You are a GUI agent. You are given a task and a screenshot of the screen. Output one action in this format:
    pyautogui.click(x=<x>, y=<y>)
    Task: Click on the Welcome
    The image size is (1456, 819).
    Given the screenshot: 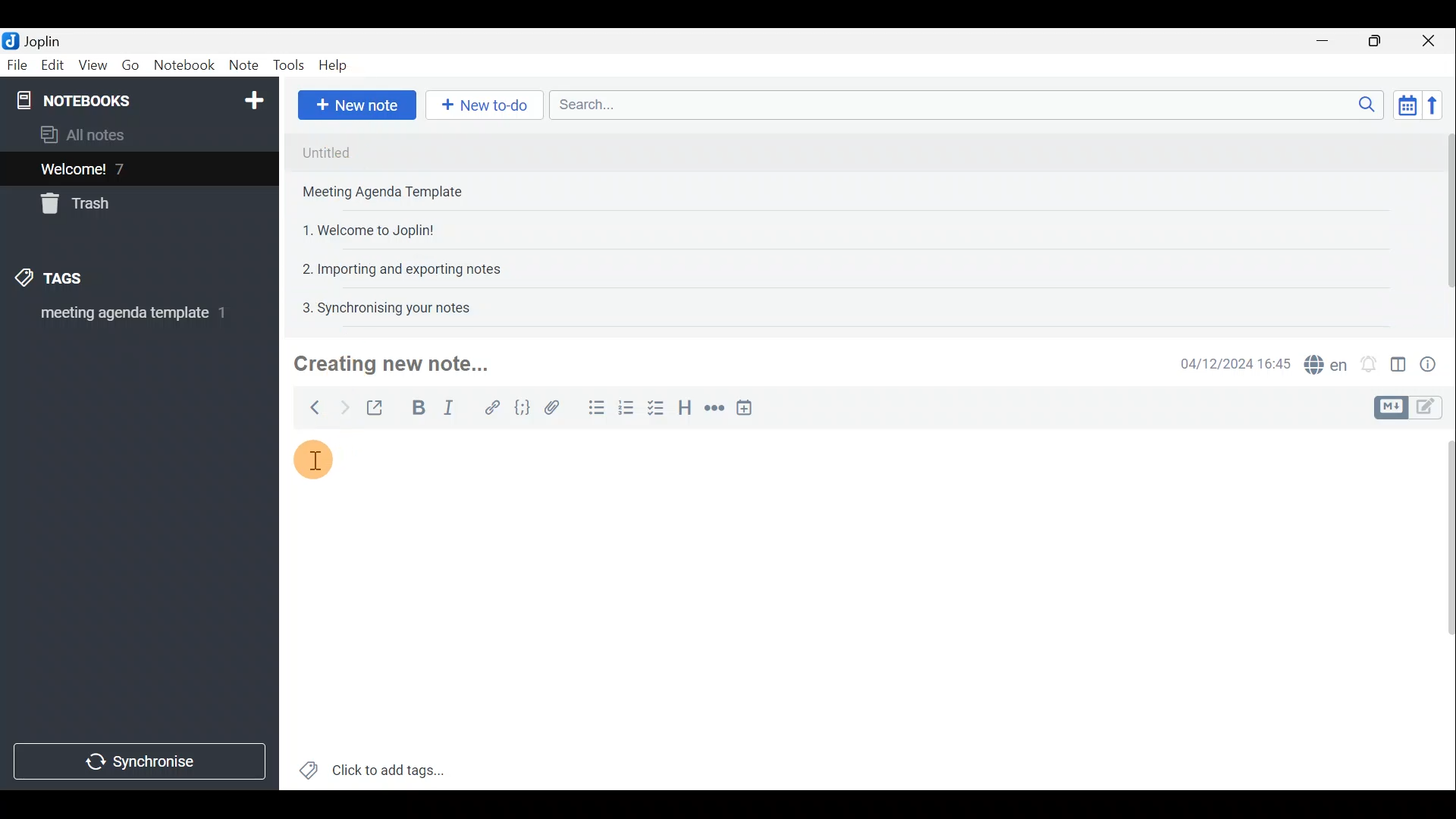 What is the action you would take?
    pyautogui.click(x=116, y=168)
    